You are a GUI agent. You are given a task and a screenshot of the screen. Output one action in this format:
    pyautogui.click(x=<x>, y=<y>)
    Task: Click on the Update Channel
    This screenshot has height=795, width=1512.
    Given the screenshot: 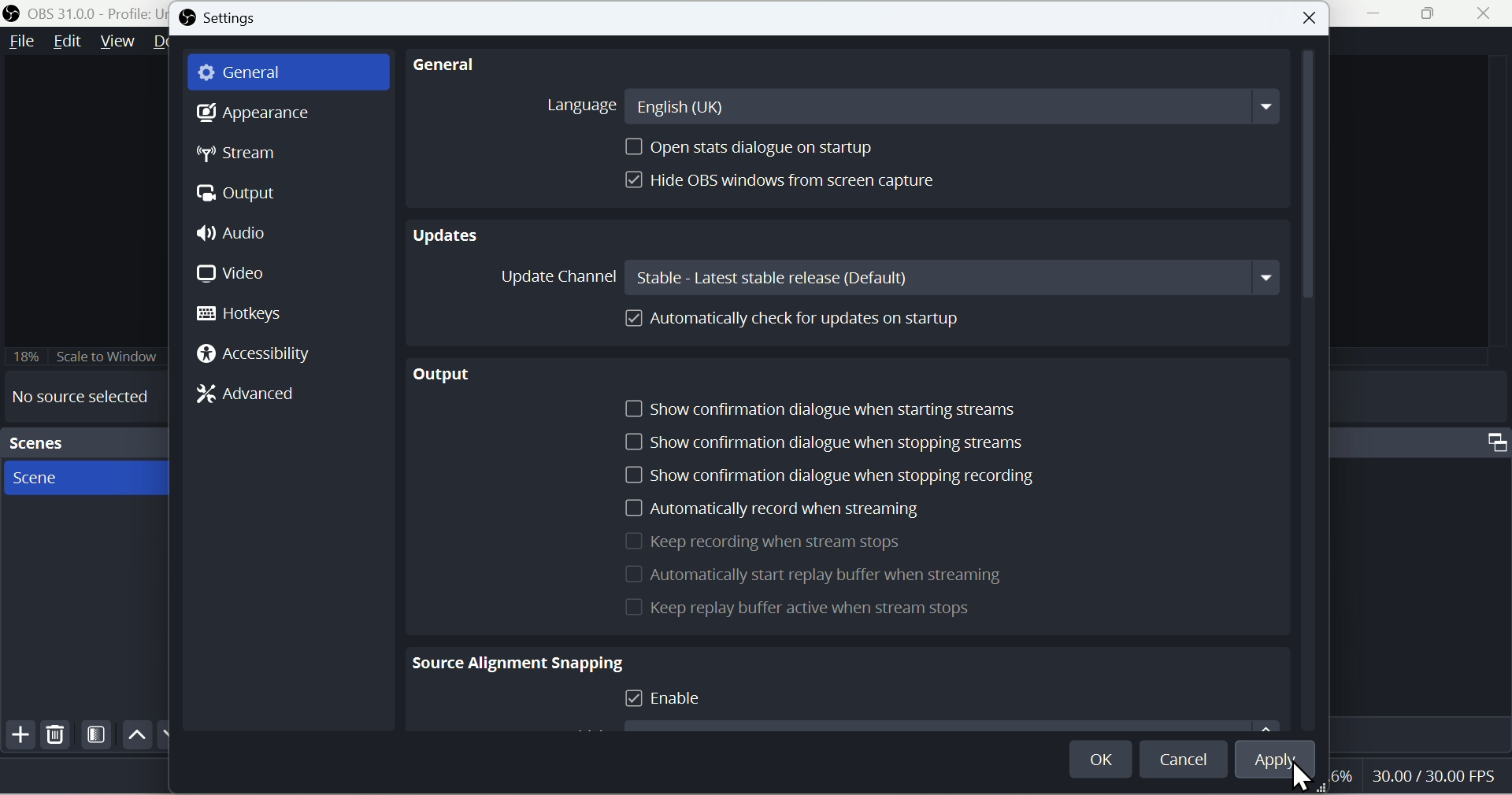 What is the action you would take?
    pyautogui.click(x=556, y=275)
    